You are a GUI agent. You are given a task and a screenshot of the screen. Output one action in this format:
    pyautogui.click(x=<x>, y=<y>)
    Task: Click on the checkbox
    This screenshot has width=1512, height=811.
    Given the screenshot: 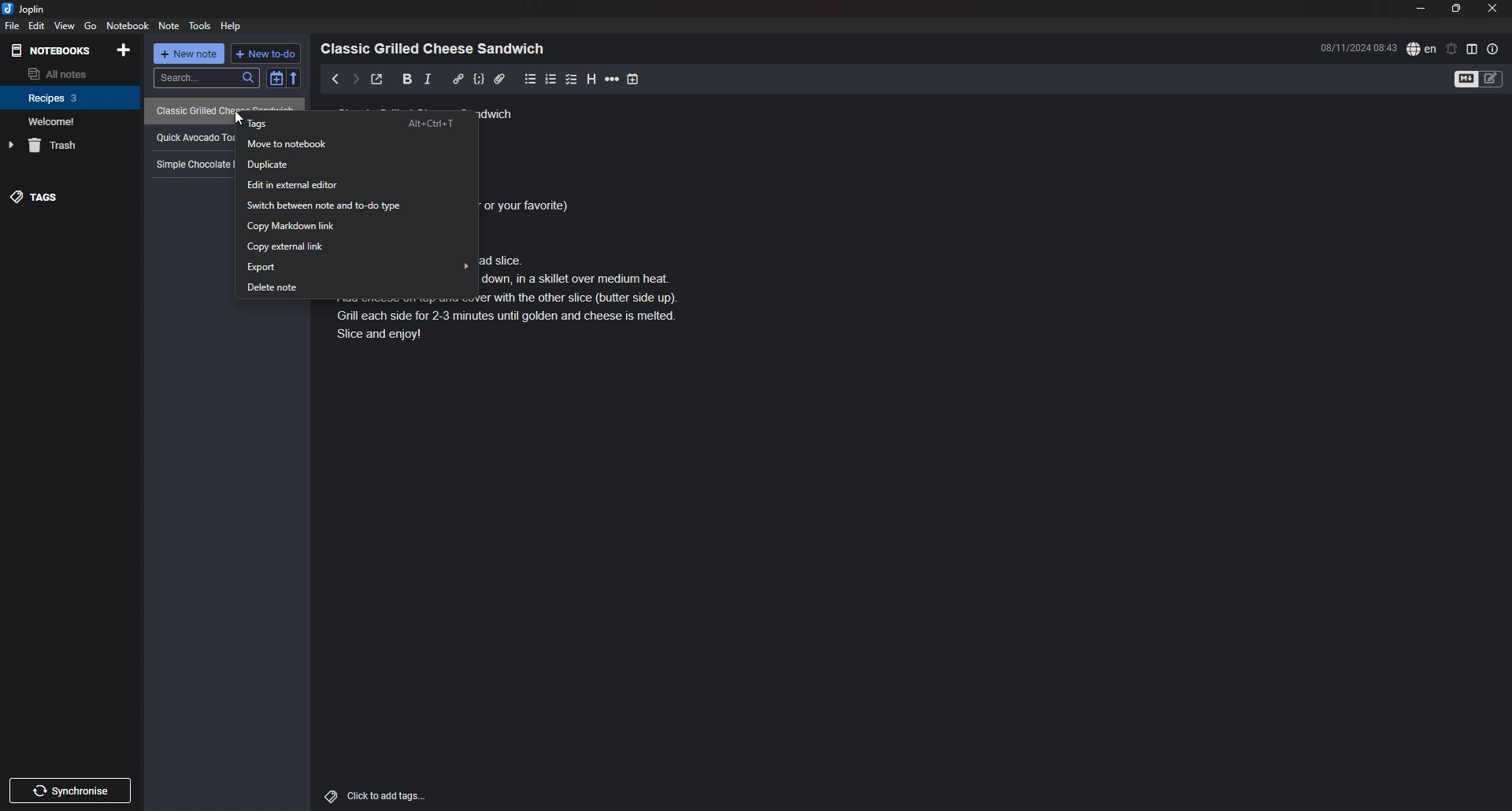 What is the action you would take?
    pyautogui.click(x=572, y=79)
    